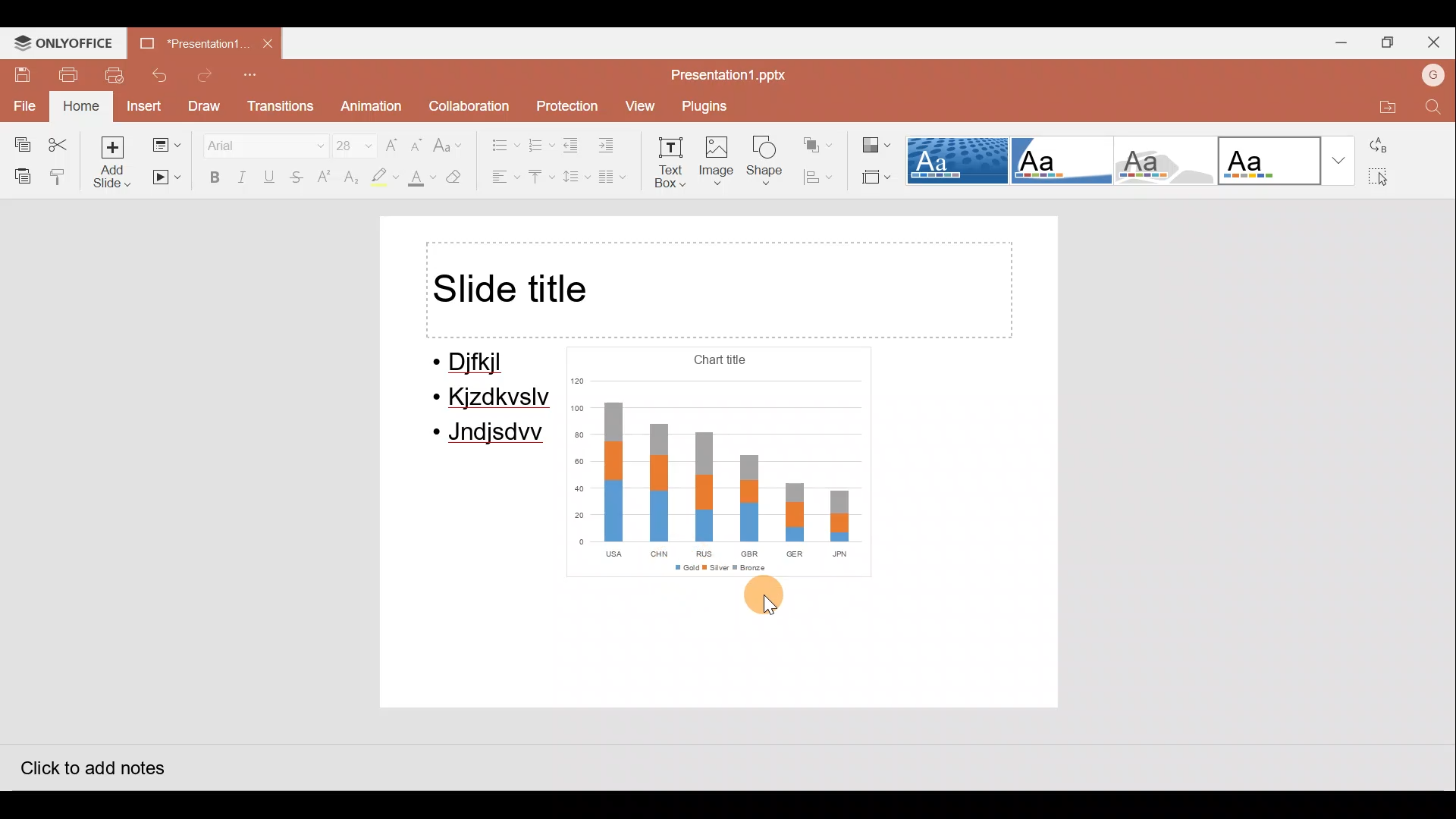 The width and height of the screenshot is (1456, 819). What do you see at coordinates (17, 141) in the screenshot?
I see `Copy` at bounding box center [17, 141].